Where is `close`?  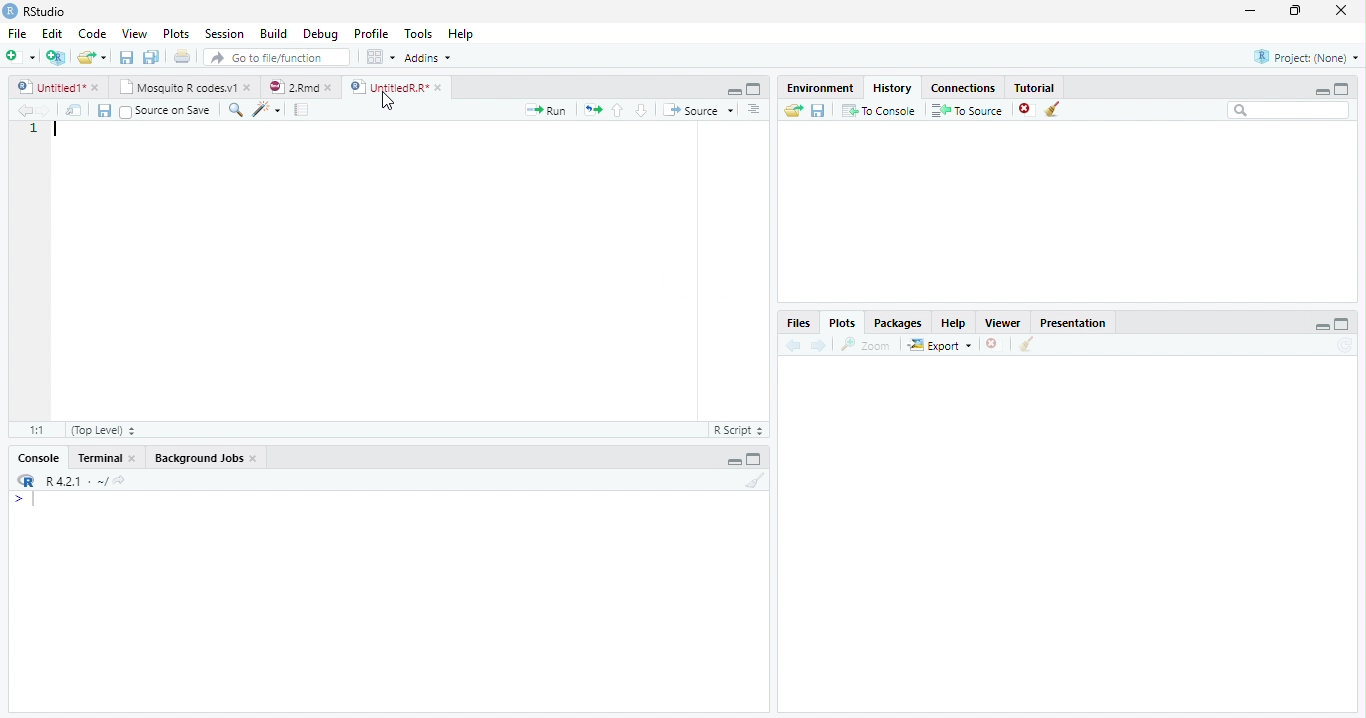
close is located at coordinates (247, 87).